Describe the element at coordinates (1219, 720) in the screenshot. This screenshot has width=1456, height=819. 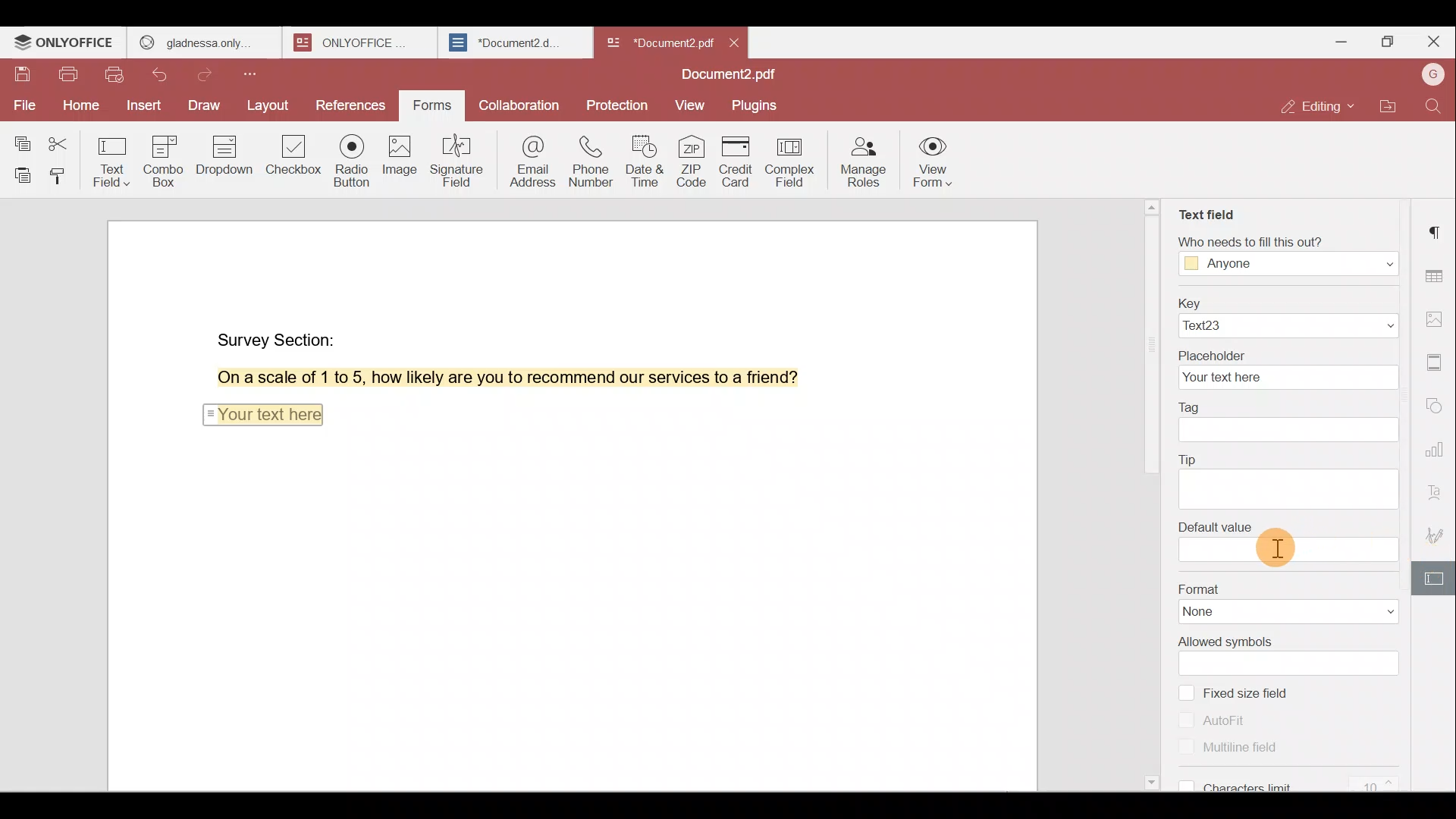
I see `Autofit` at that location.